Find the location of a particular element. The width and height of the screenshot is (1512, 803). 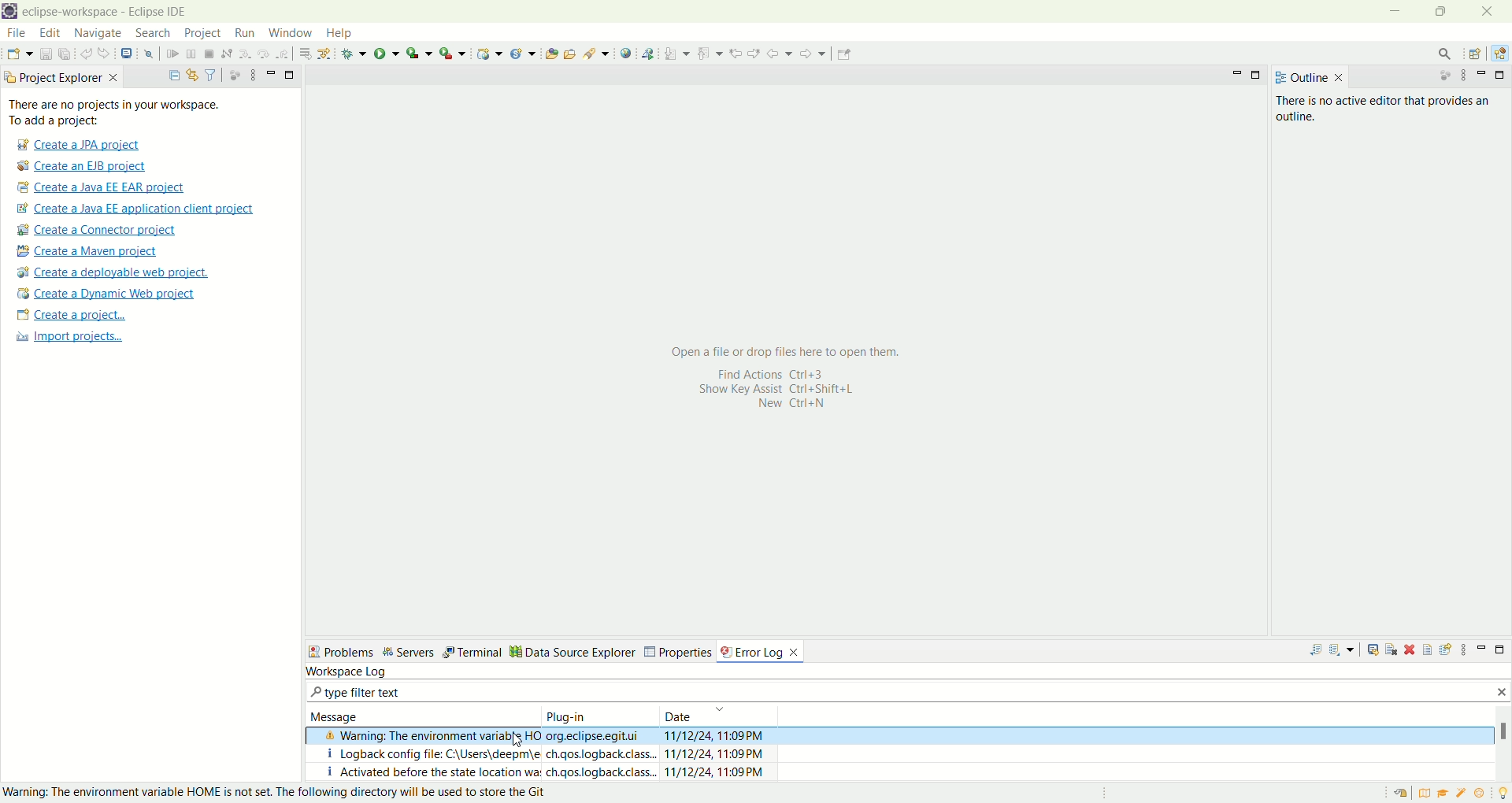

debug is located at coordinates (353, 53).